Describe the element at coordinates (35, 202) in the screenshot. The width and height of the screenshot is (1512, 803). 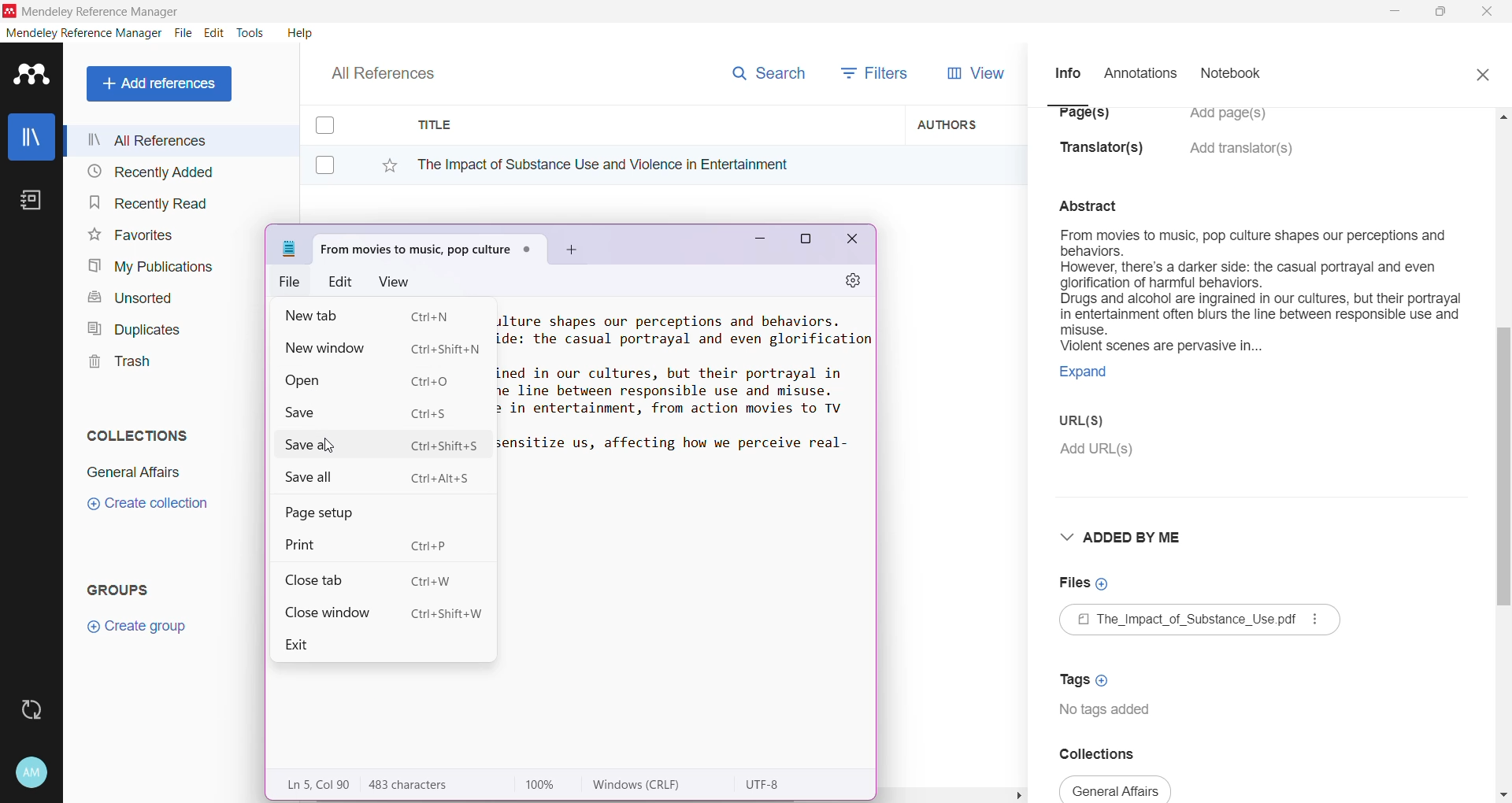
I see `Notes` at that location.